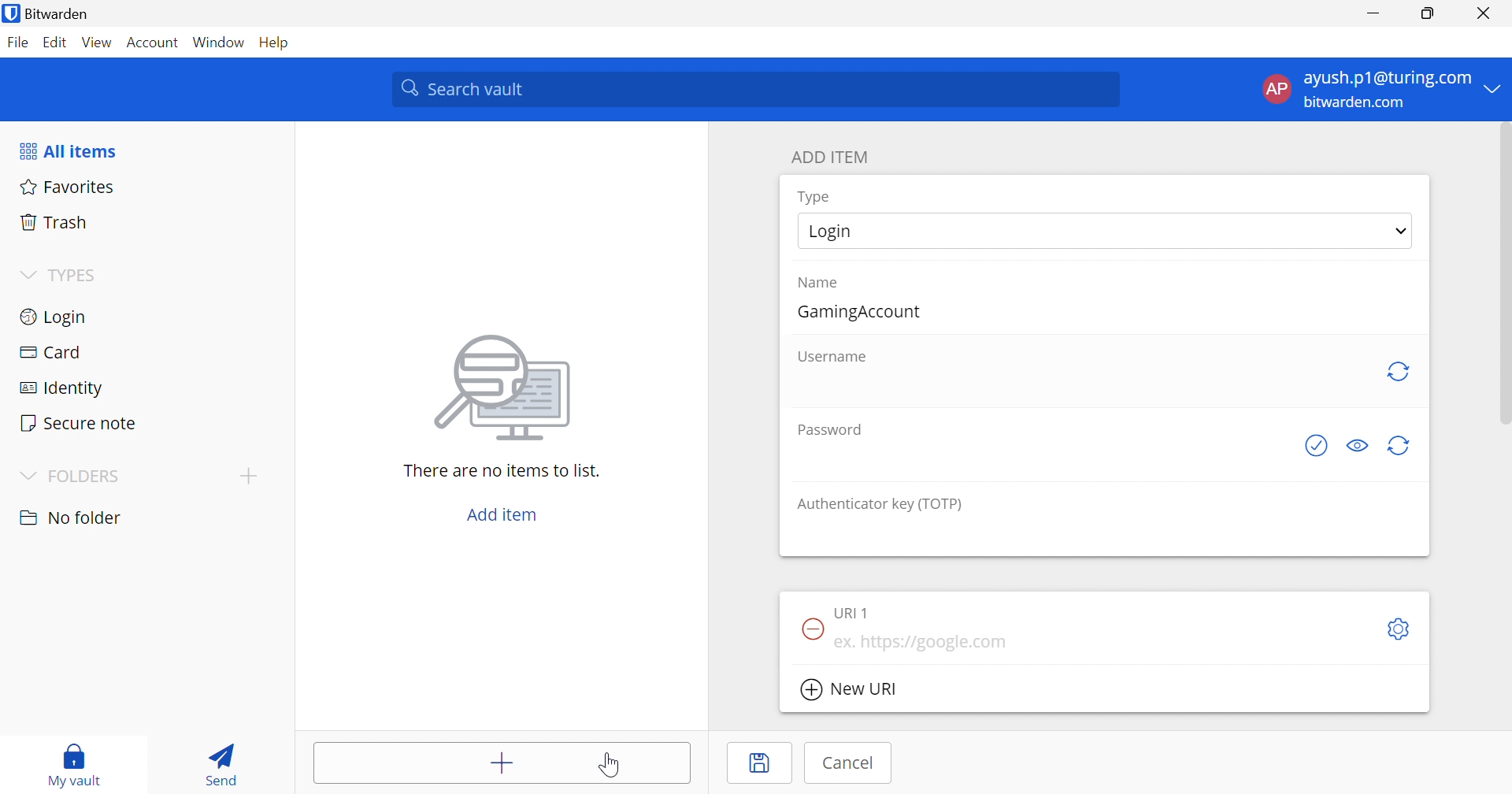 The height and width of the screenshot is (794, 1512). I want to click on Restore Down, so click(1429, 14).